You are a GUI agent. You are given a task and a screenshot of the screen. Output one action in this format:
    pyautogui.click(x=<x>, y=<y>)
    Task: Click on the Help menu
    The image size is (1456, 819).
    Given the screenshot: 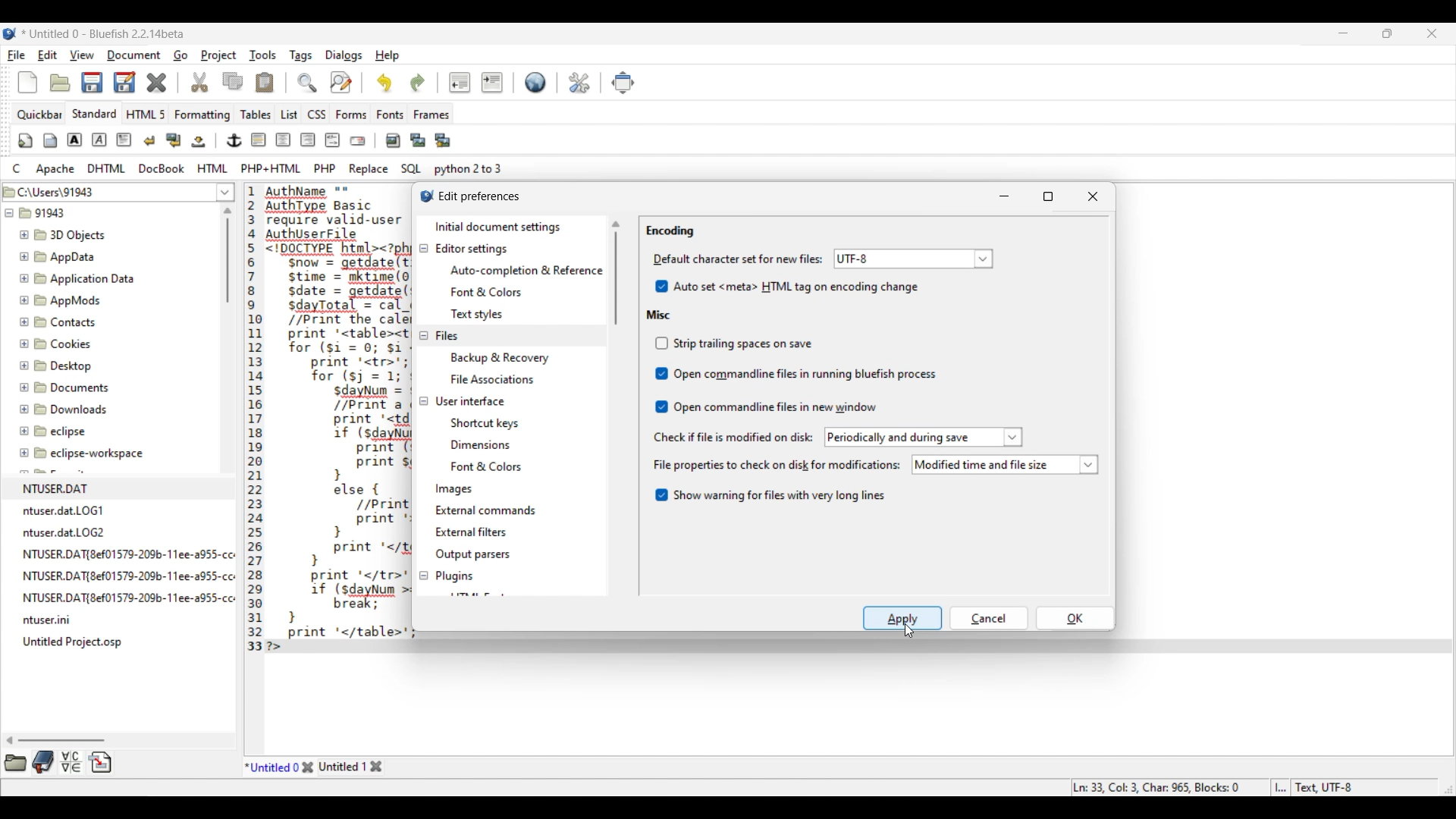 What is the action you would take?
    pyautogui.click(x=388, y=56)
    